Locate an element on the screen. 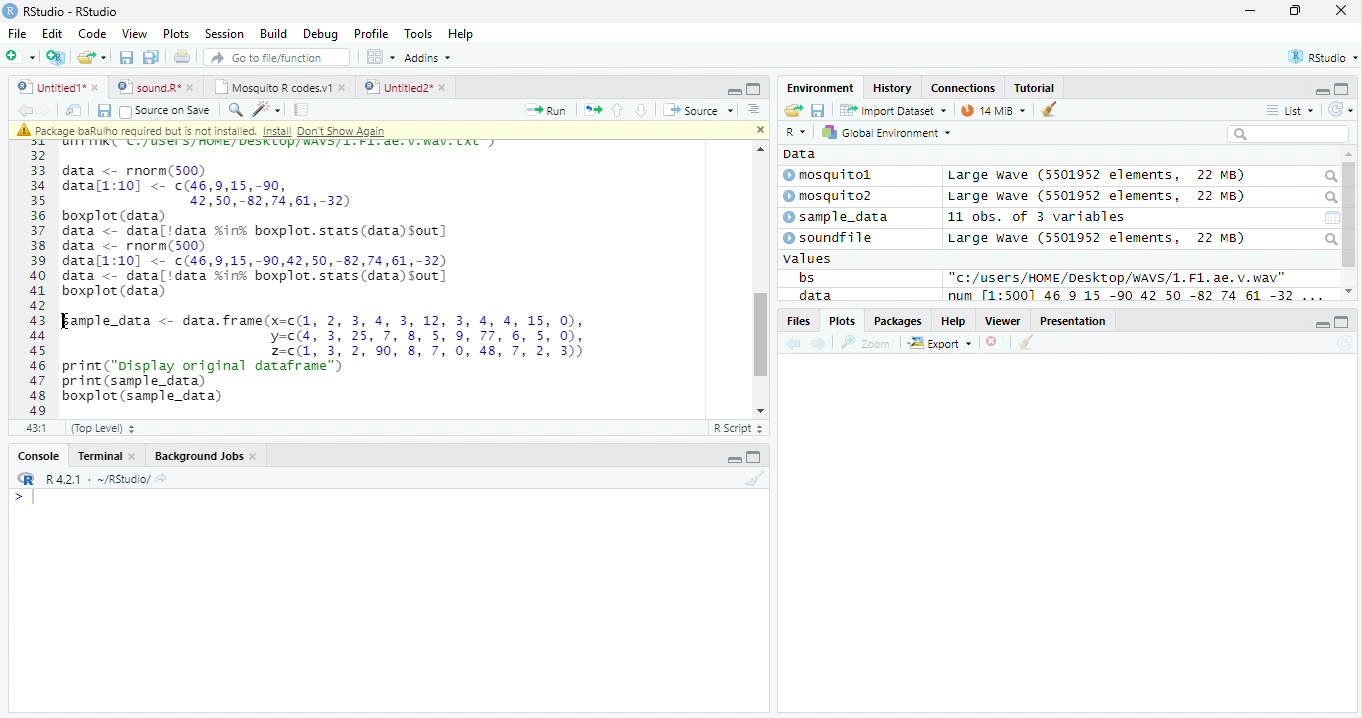 This screenshot has height=718, width=1362. Source on save is located at coordinates (165, 112).